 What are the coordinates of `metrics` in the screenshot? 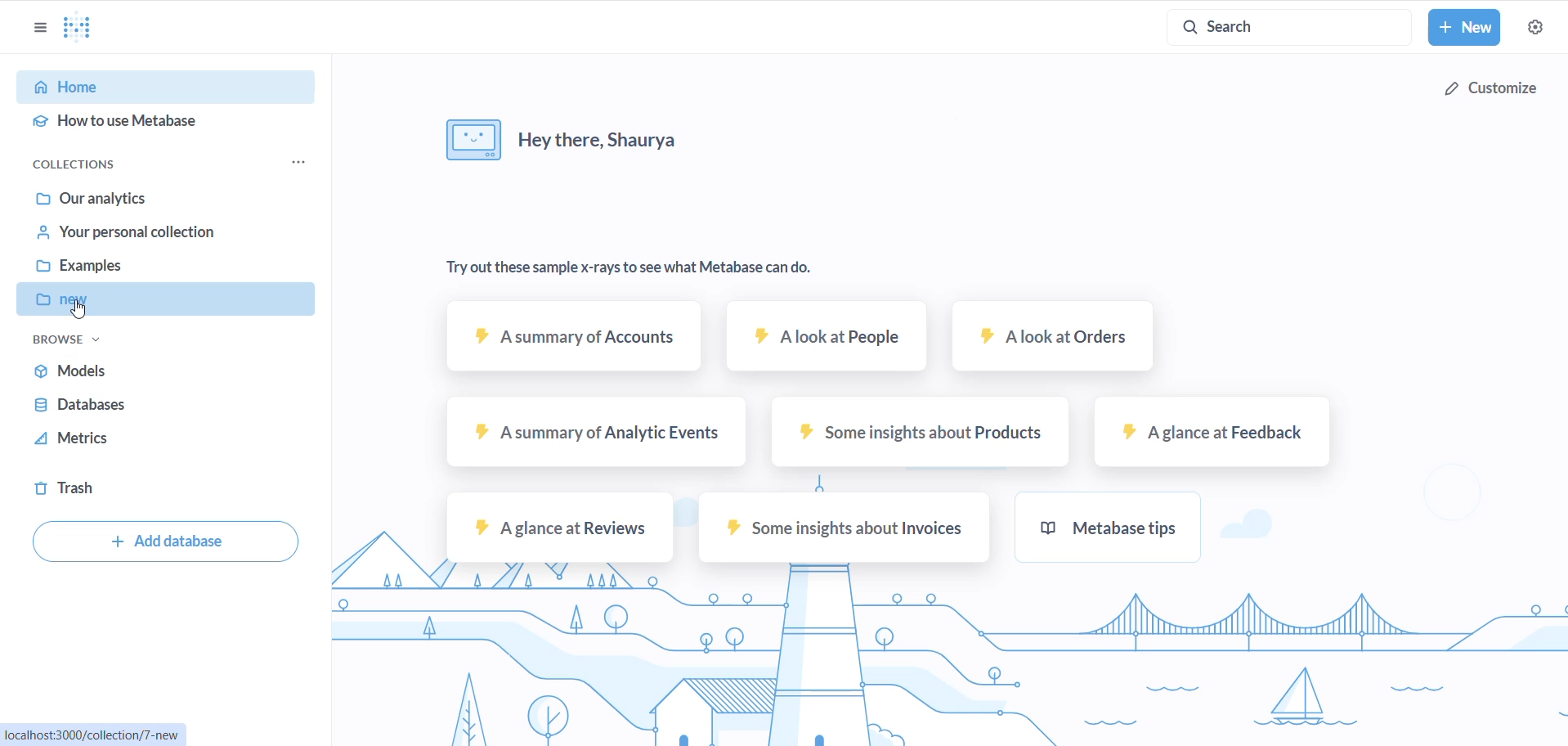 It's located at (121, 443).